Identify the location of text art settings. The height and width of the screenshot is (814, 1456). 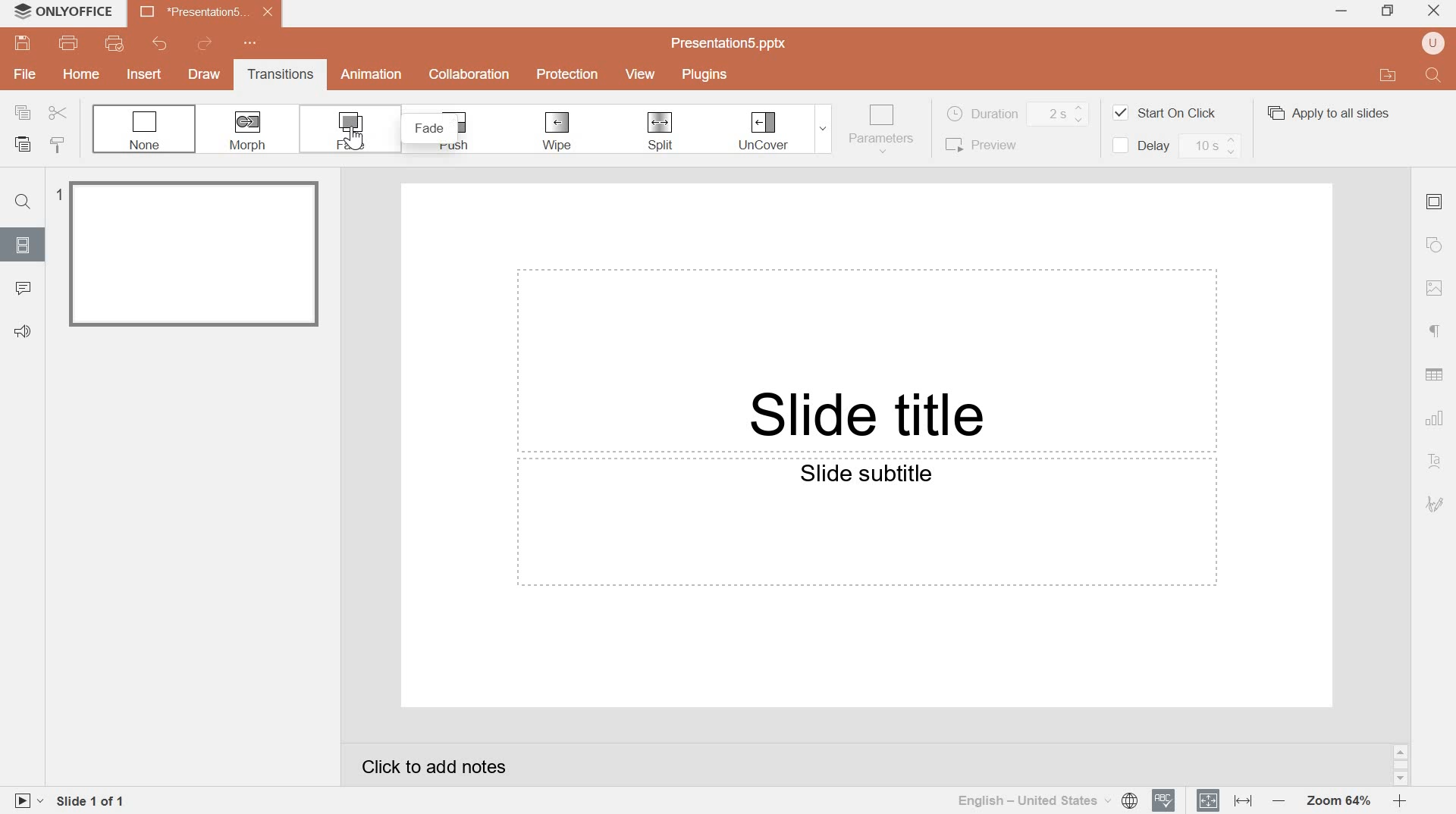
(1432, 462).